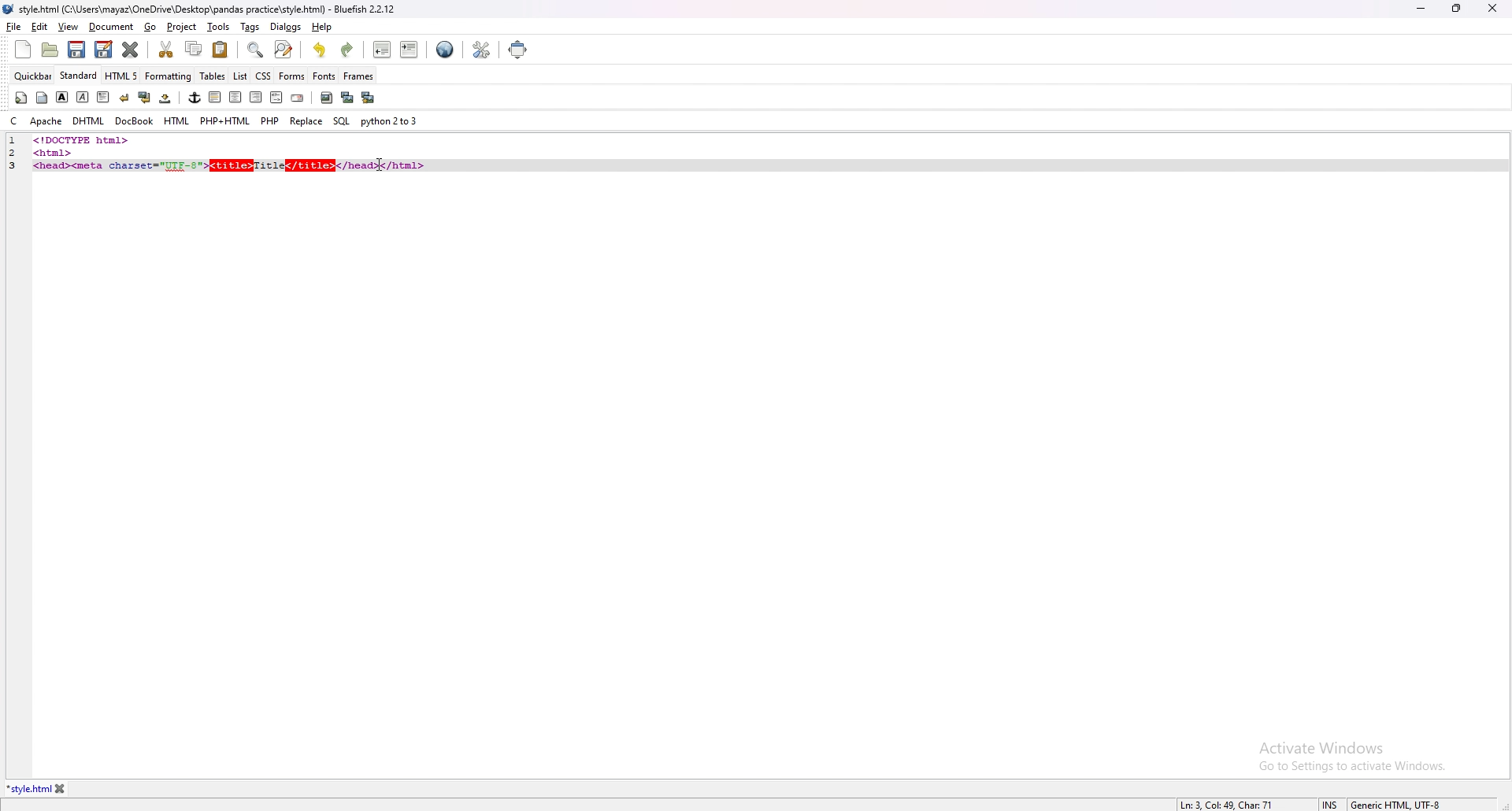 This screenshot has width=1512, height=811. I want to click on quickstart, so click(20, 98).